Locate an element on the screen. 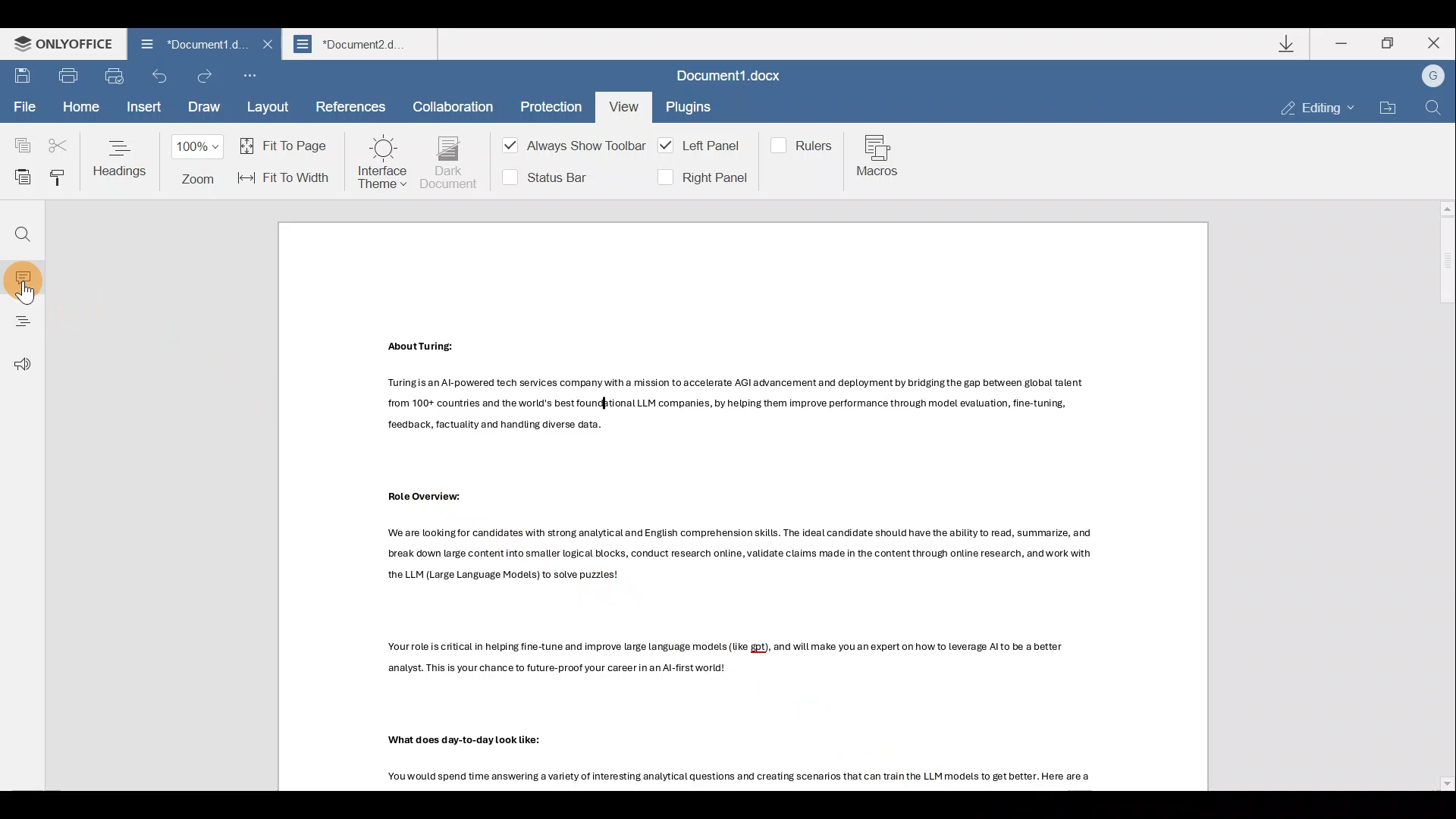 The height and width of the screenshot is (819, 1456). Open file location is located at coordinates (1386, 108).